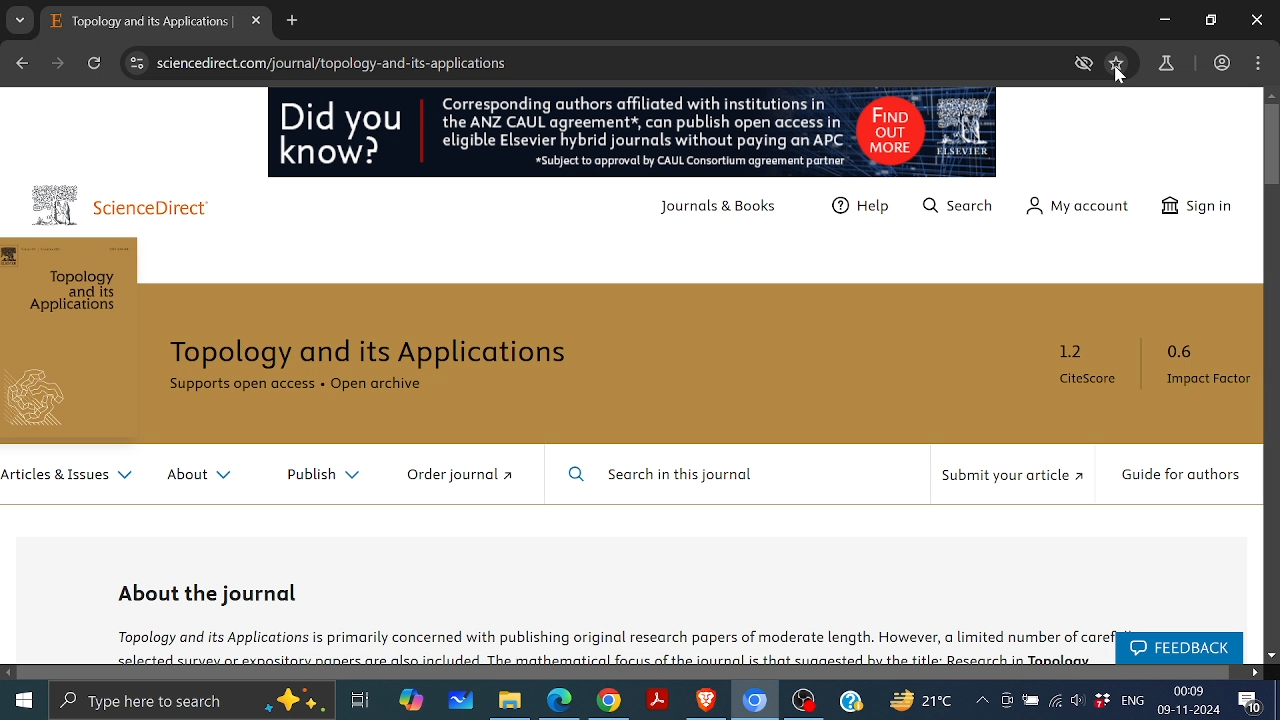 Image resolution: width=1280 pixels, height=720 pixels. I want to click on Task View, so click(358, 699).